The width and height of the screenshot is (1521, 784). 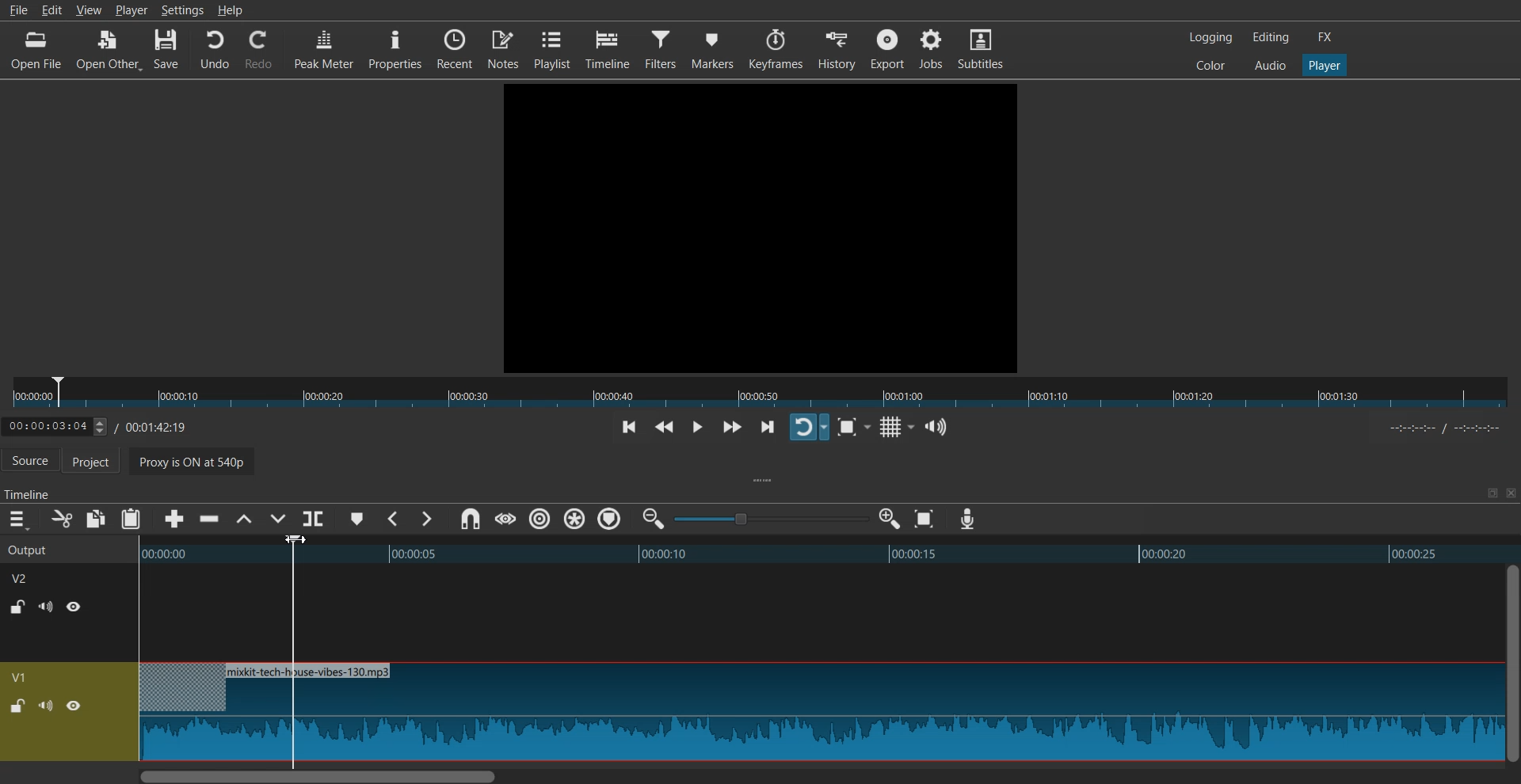 What do you see at coordinates (838, 49) in the screenshot?
I see `History` at bounding box center [838, 49].